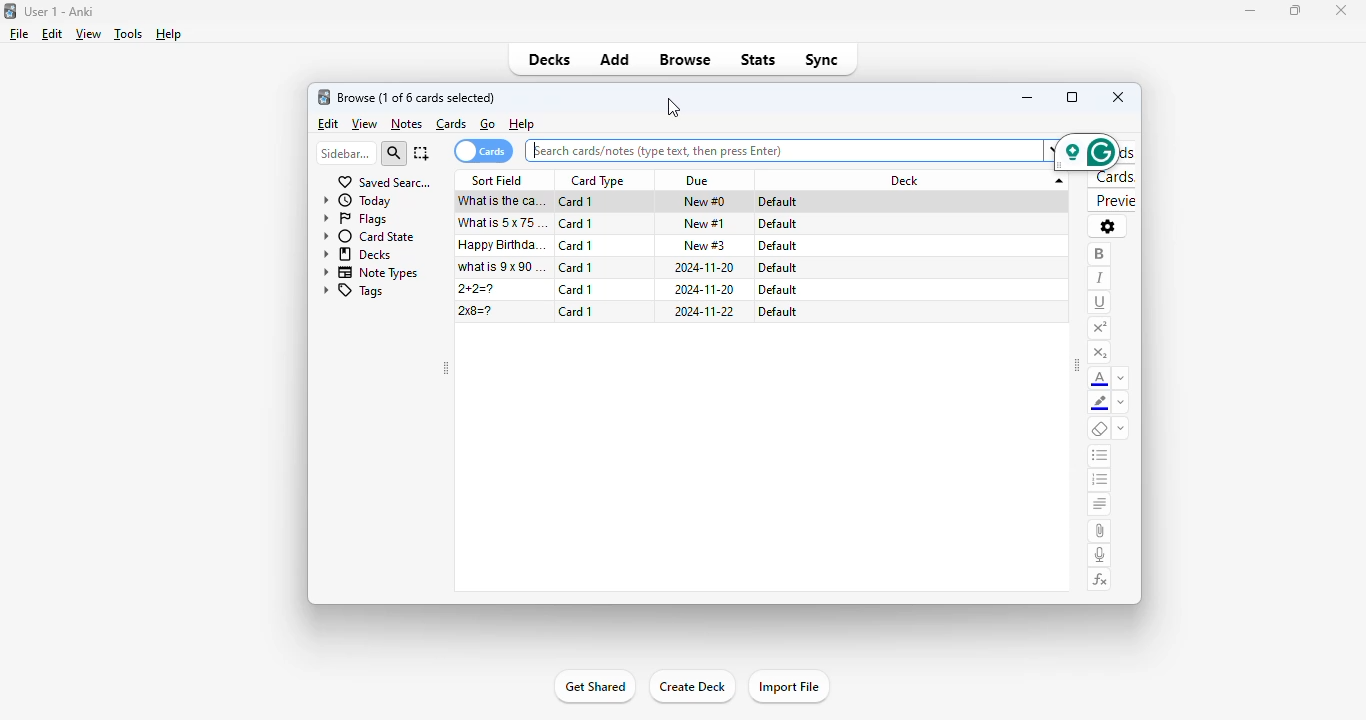 The width and height of the screenshot is (1366, 720). I want to click on help, so click(168, 34).